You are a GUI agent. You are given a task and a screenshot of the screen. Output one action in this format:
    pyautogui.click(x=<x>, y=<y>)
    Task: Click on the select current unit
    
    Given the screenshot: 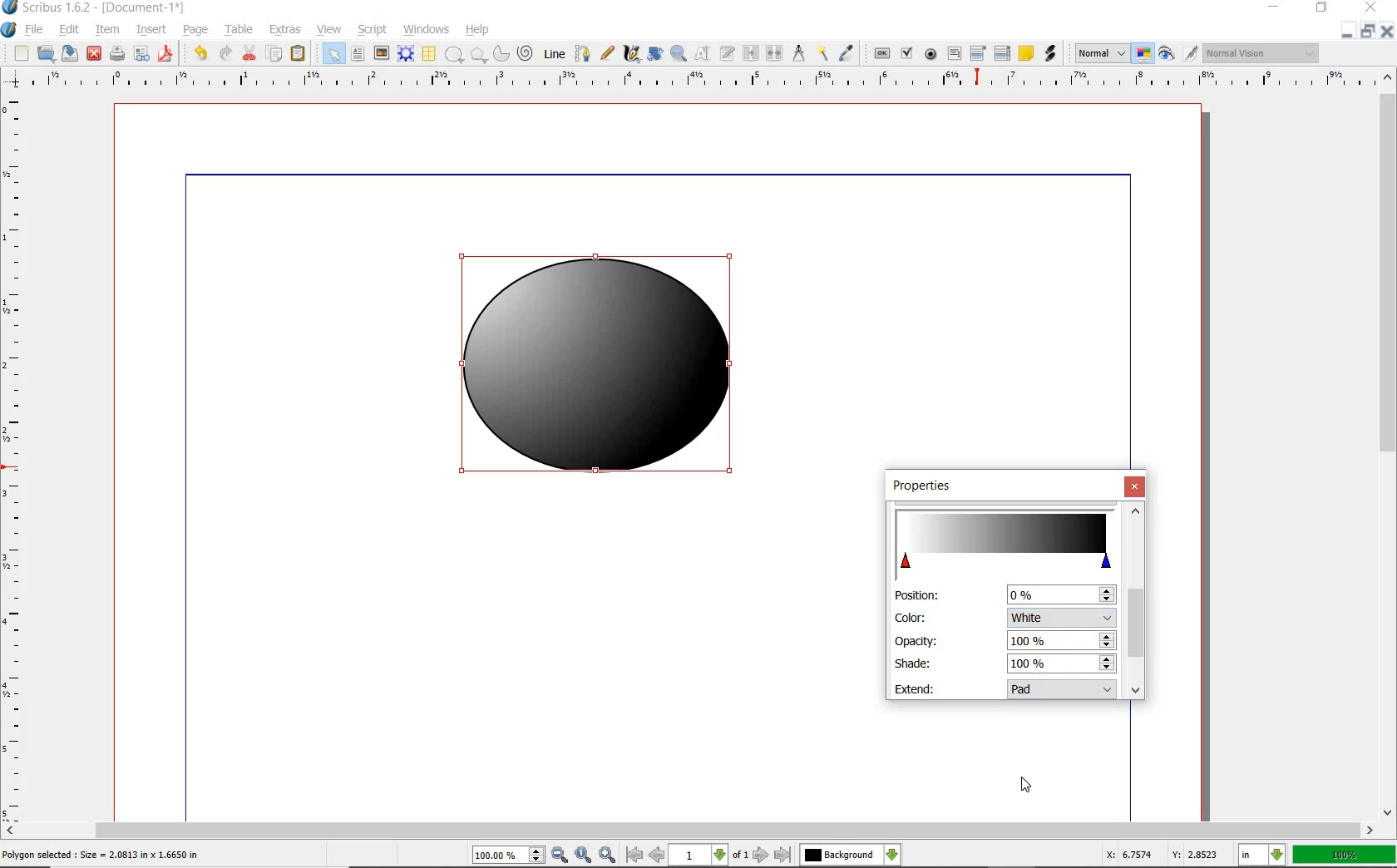 What is the action you would take?
    pyautogui.click(x=1261, y=853)
    